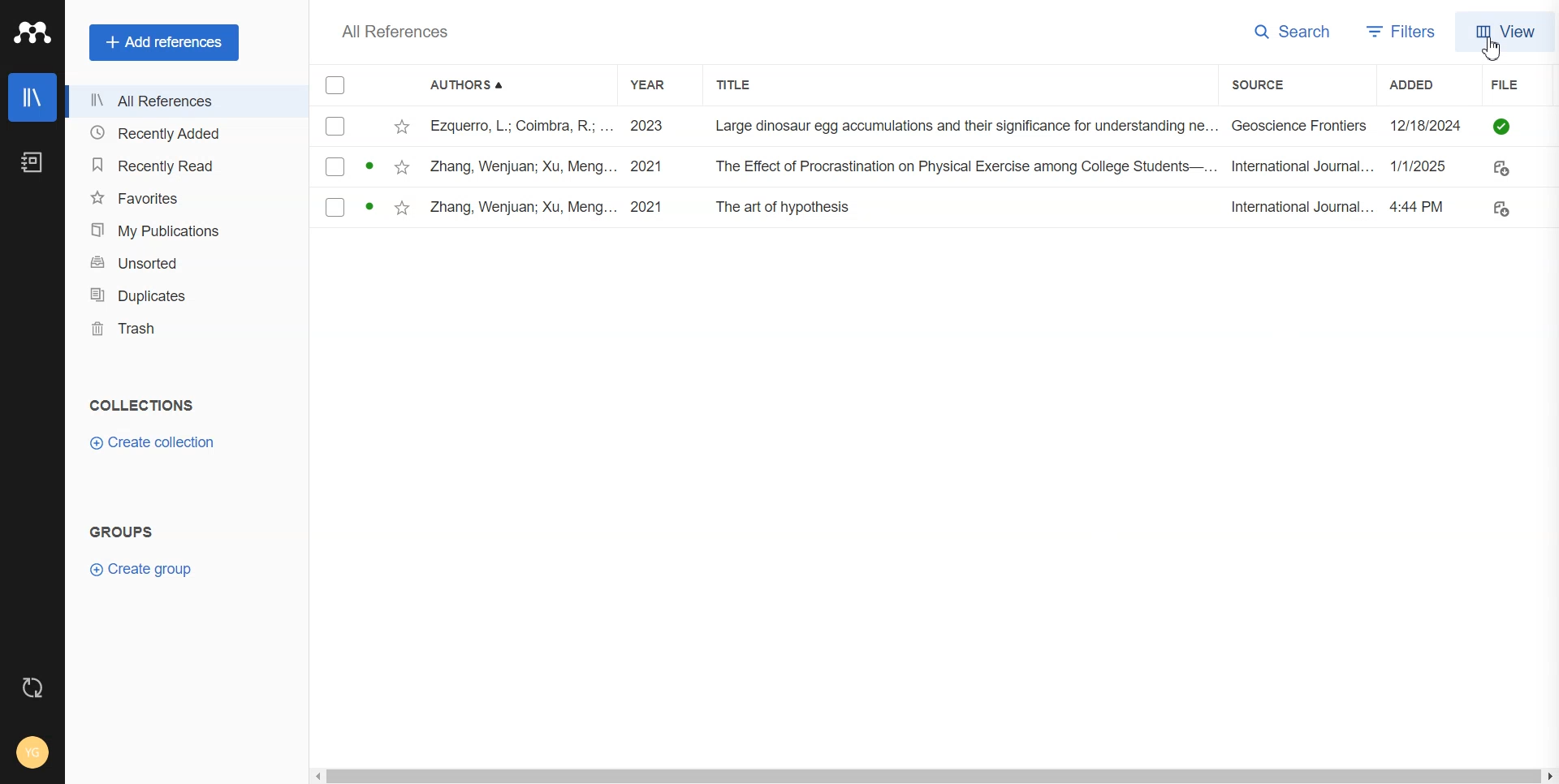 This screenshot has height=784, width=1559. Describe the element at coordinates (32, 97) in the screenshot. I see `Library` at that location.